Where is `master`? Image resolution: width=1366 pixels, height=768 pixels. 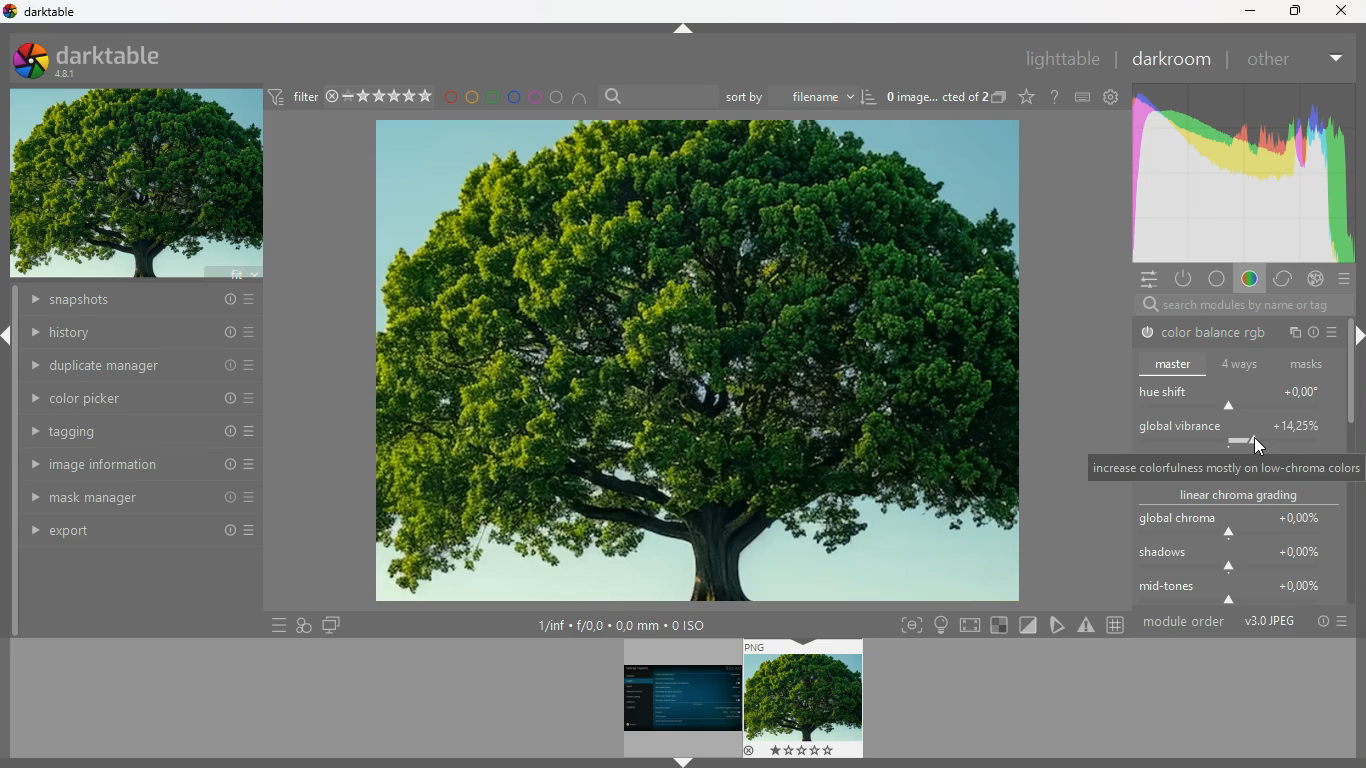 master is located at coordinates (1175, 364).